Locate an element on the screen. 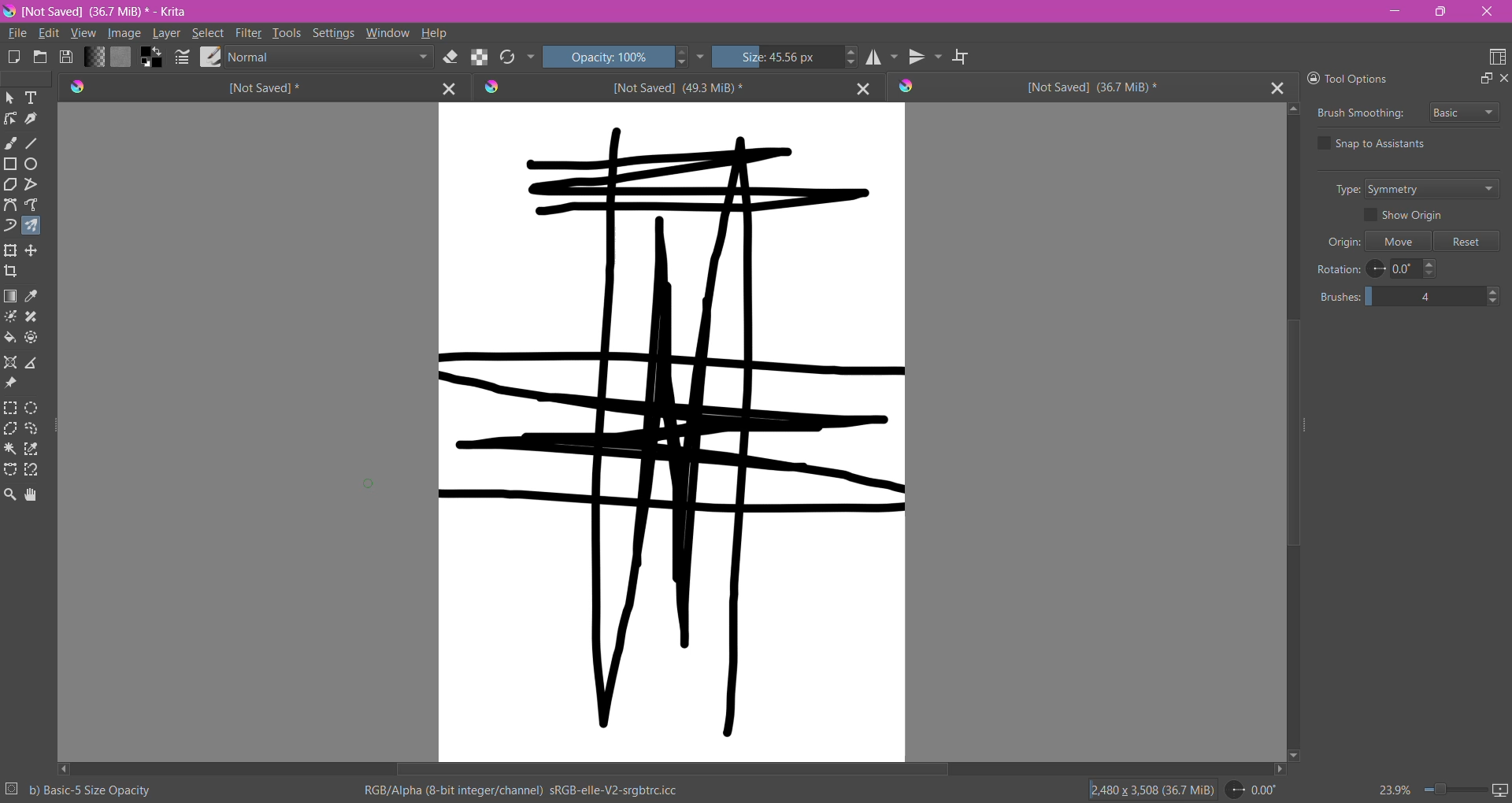  Freehand Selection Tool is located at coordinates (32, 429).